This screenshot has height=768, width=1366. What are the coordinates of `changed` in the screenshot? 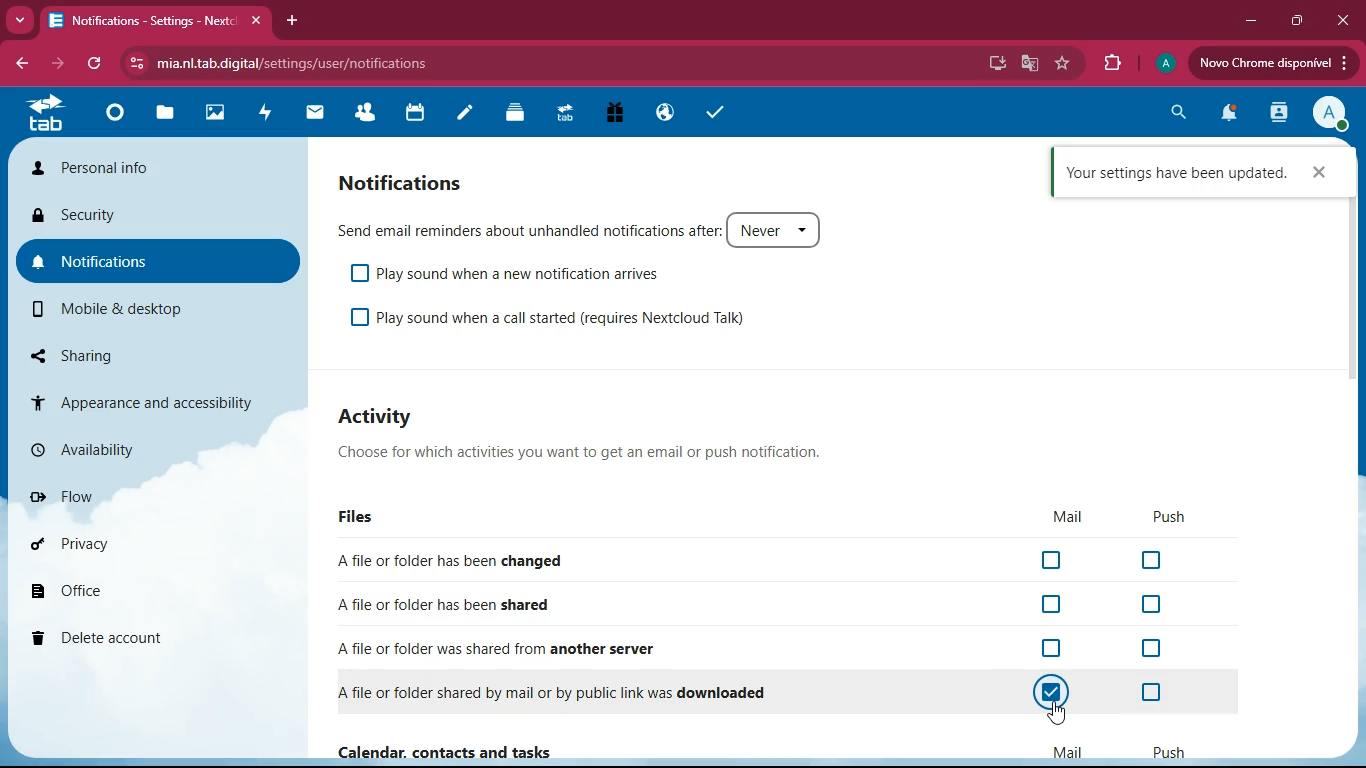 It's located at (458, 560).